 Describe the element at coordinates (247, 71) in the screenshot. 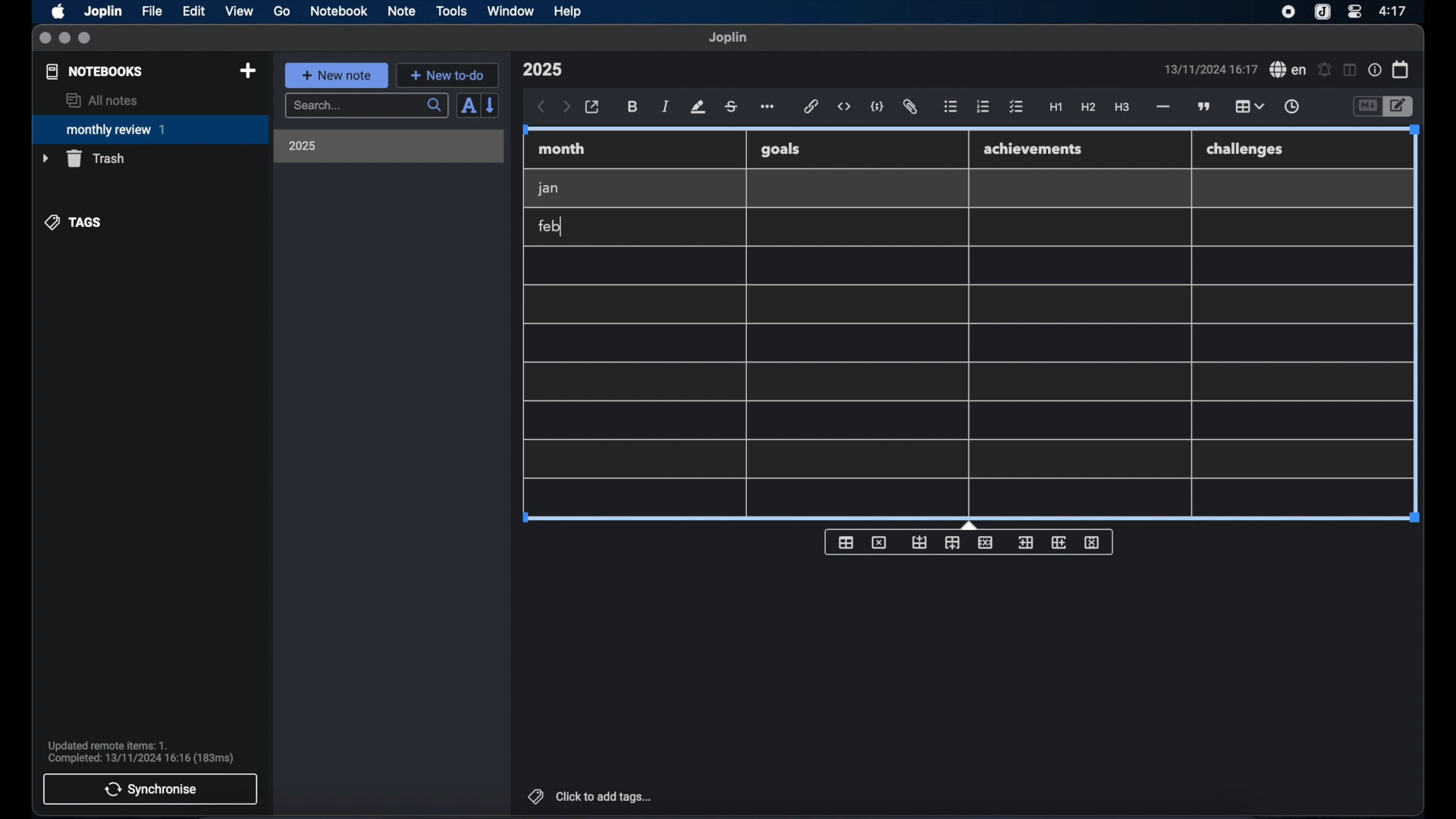

I see `new notebook` at that location.